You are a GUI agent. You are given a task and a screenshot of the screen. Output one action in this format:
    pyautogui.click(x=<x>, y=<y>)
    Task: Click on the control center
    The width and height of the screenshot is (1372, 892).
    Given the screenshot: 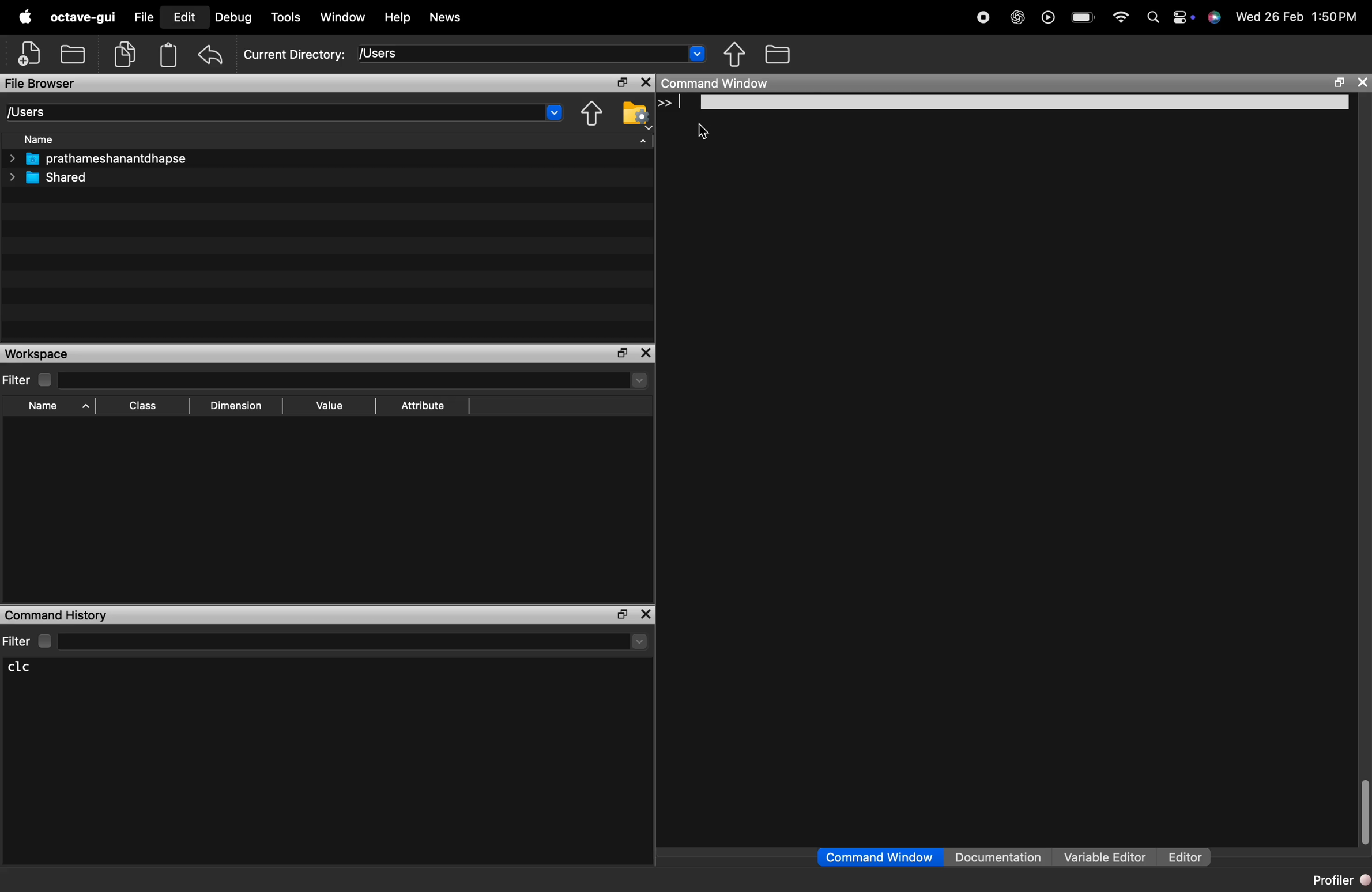 What is the action you would take?
    pyautogui.click(x=1178, y=16)
    